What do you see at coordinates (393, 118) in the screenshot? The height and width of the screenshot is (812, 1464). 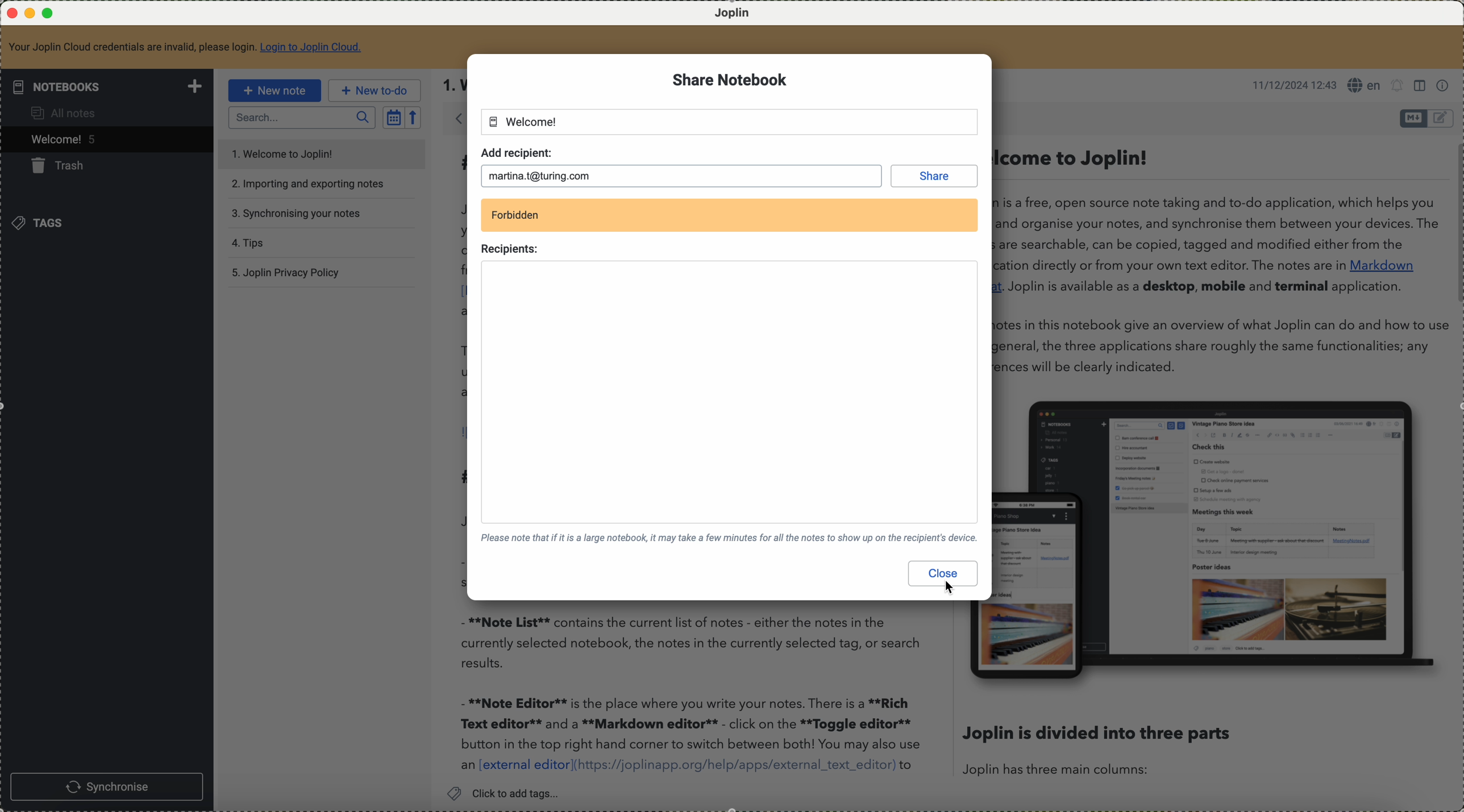 I see `toggle sort order field` at bounding box center [393, 118].